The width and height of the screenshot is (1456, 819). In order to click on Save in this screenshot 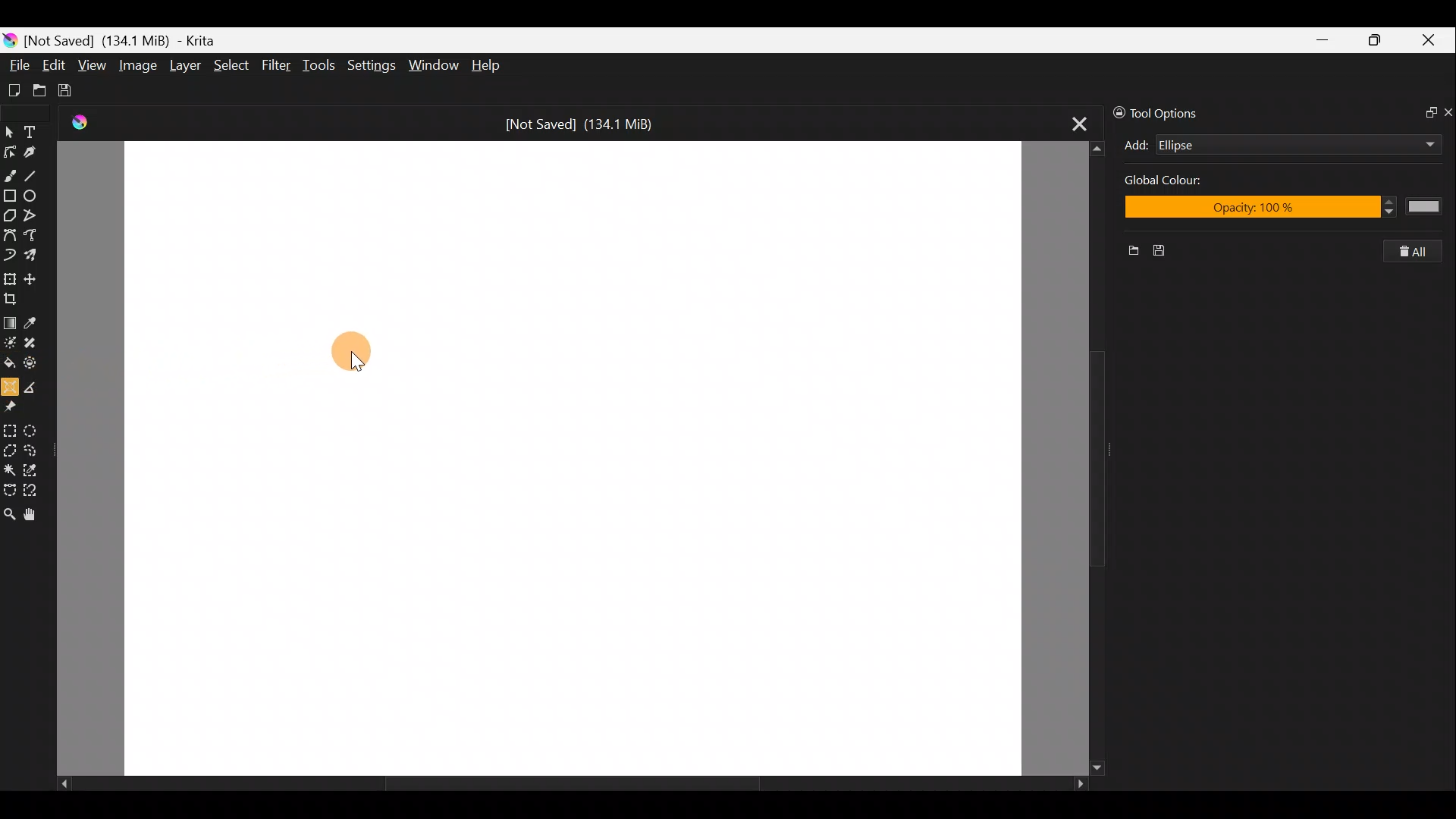, I will do `click(1175, 252)`.